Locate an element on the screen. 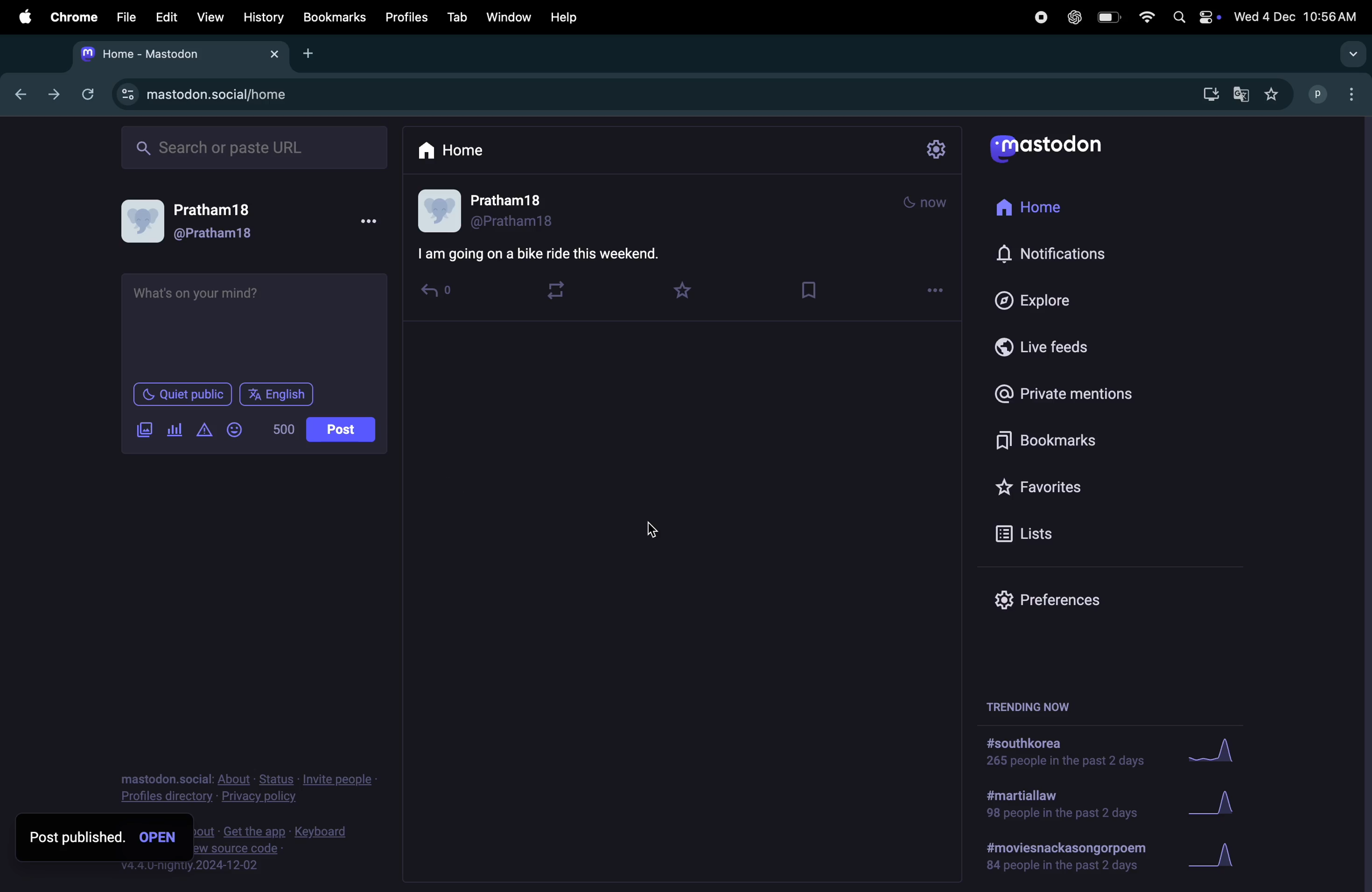 The height and width of the screenshot is (892, 1372). Notifications is located at coordinates (1056, 255).